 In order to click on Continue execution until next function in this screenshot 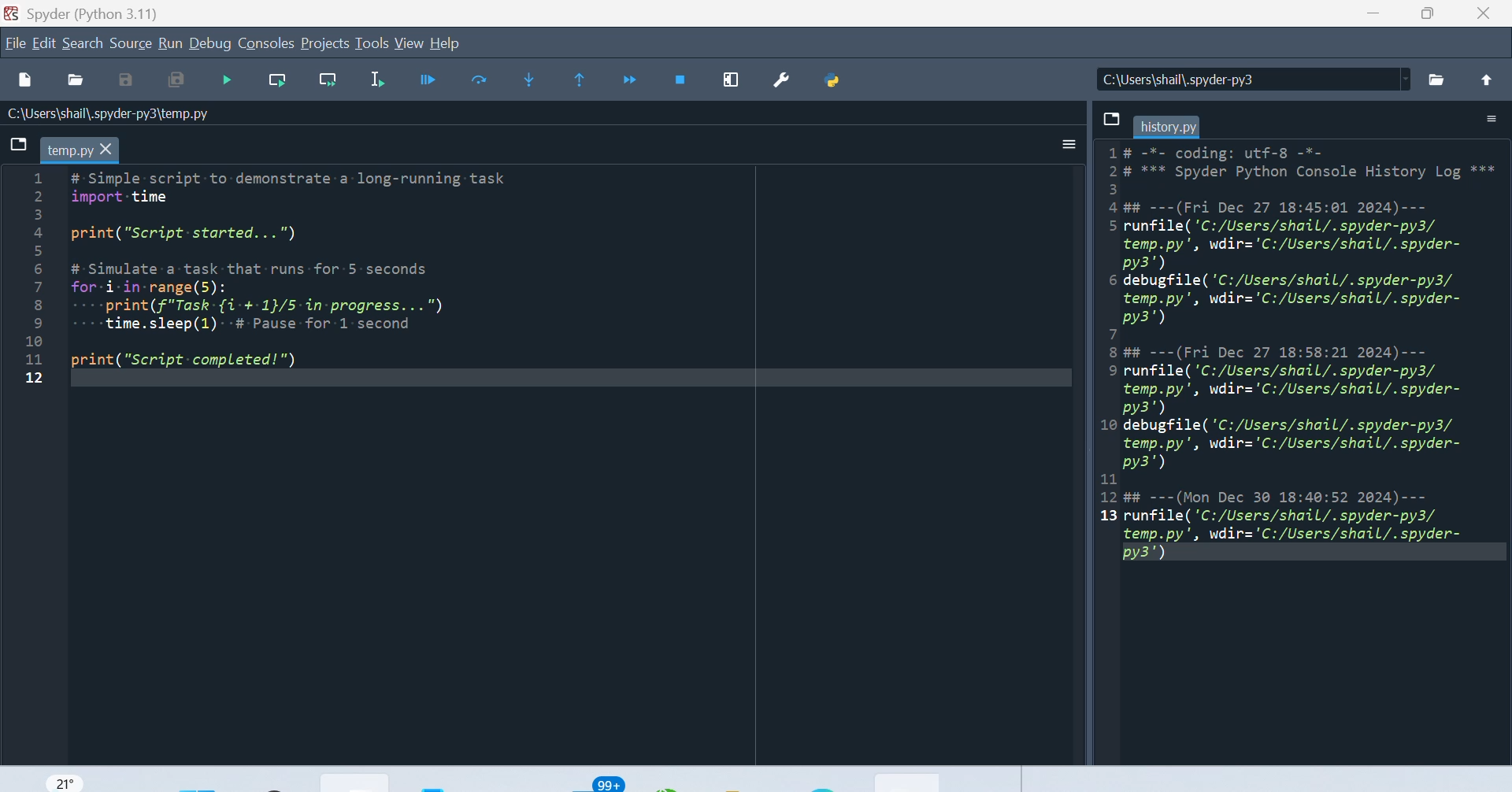, I will do `click(631, 80)`.